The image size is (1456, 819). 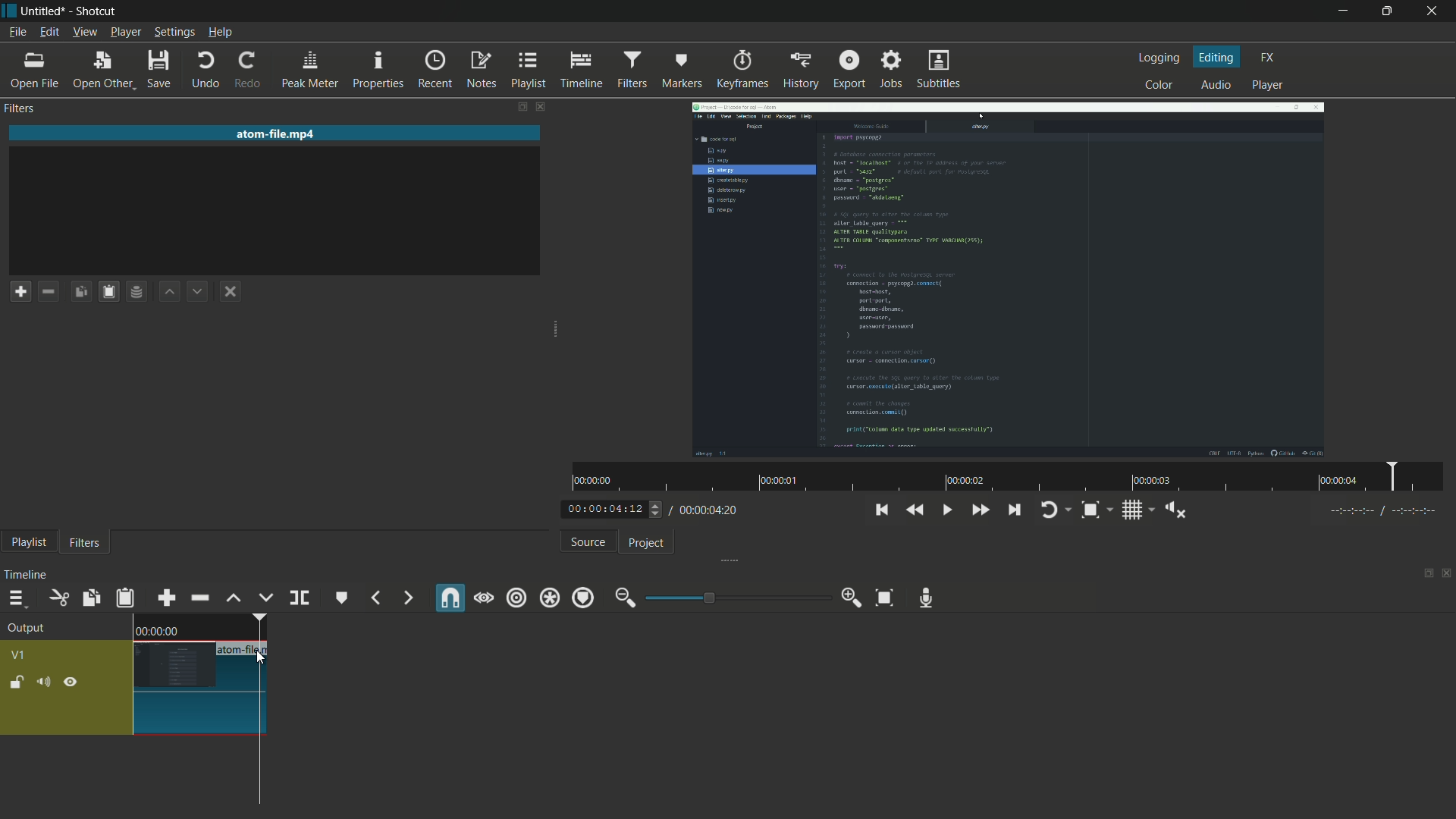 What do you see at coordinates (549, 598) in the screenshot?
I see `ripple all tracks` at bounding box center [549, 598].